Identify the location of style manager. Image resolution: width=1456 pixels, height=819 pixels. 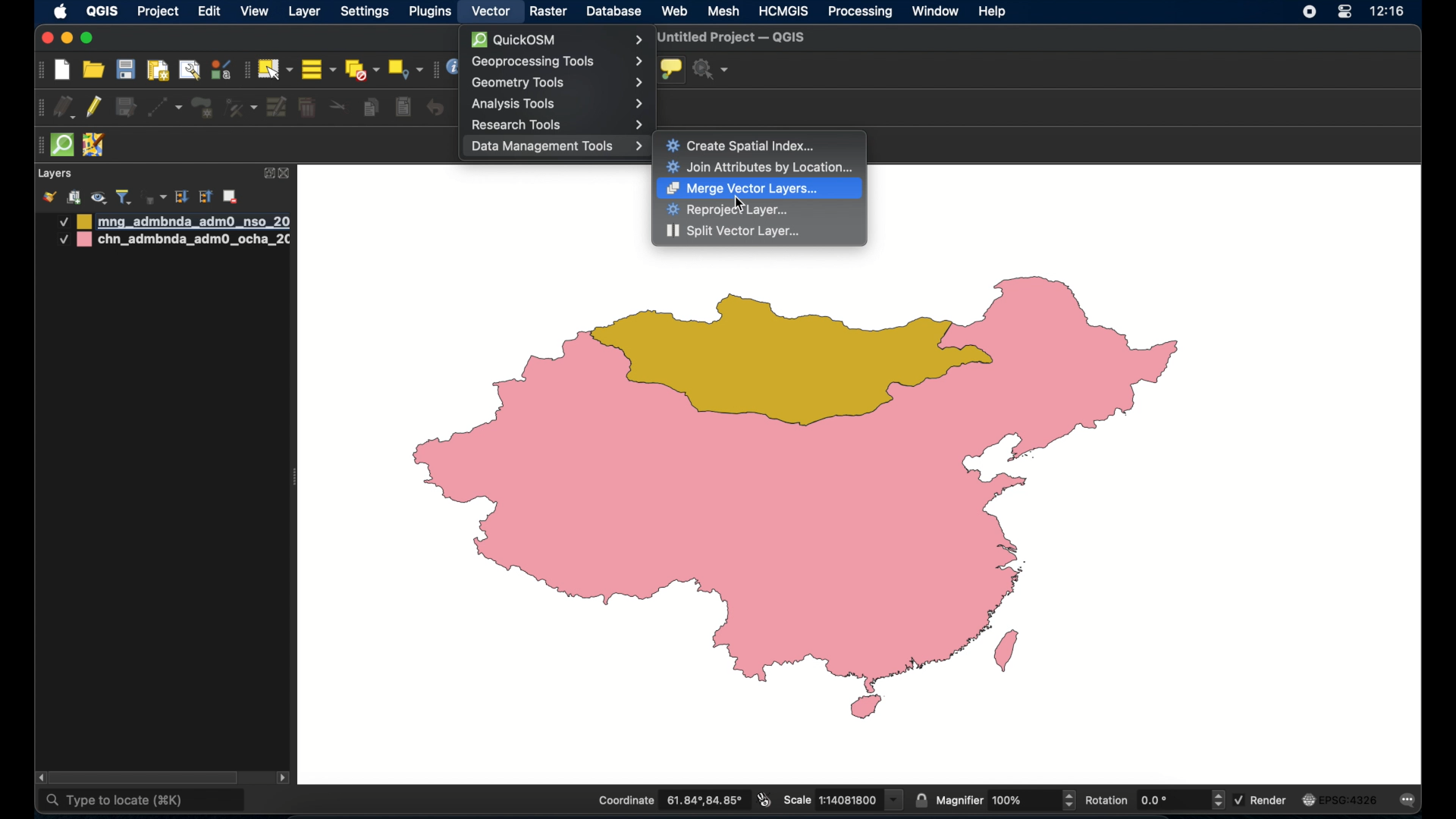
(220, 69).